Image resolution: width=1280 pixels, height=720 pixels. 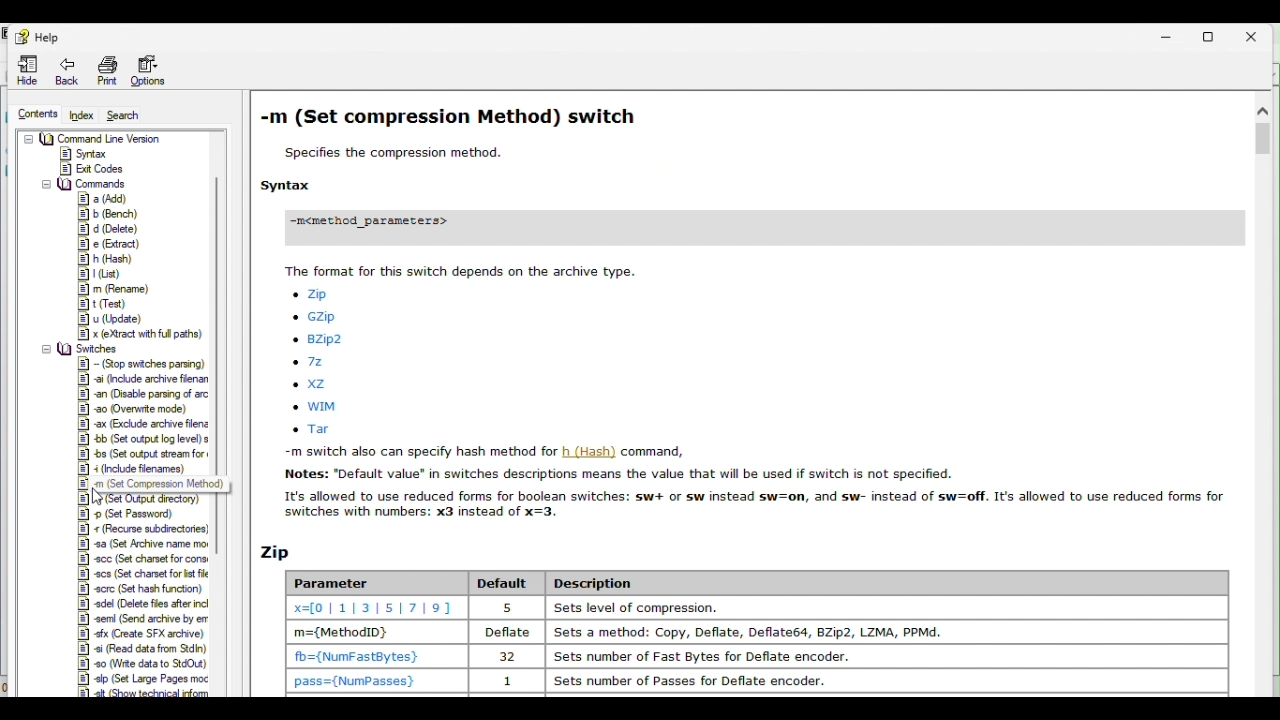 I want to click on 7z, so click(x=315, y=361).